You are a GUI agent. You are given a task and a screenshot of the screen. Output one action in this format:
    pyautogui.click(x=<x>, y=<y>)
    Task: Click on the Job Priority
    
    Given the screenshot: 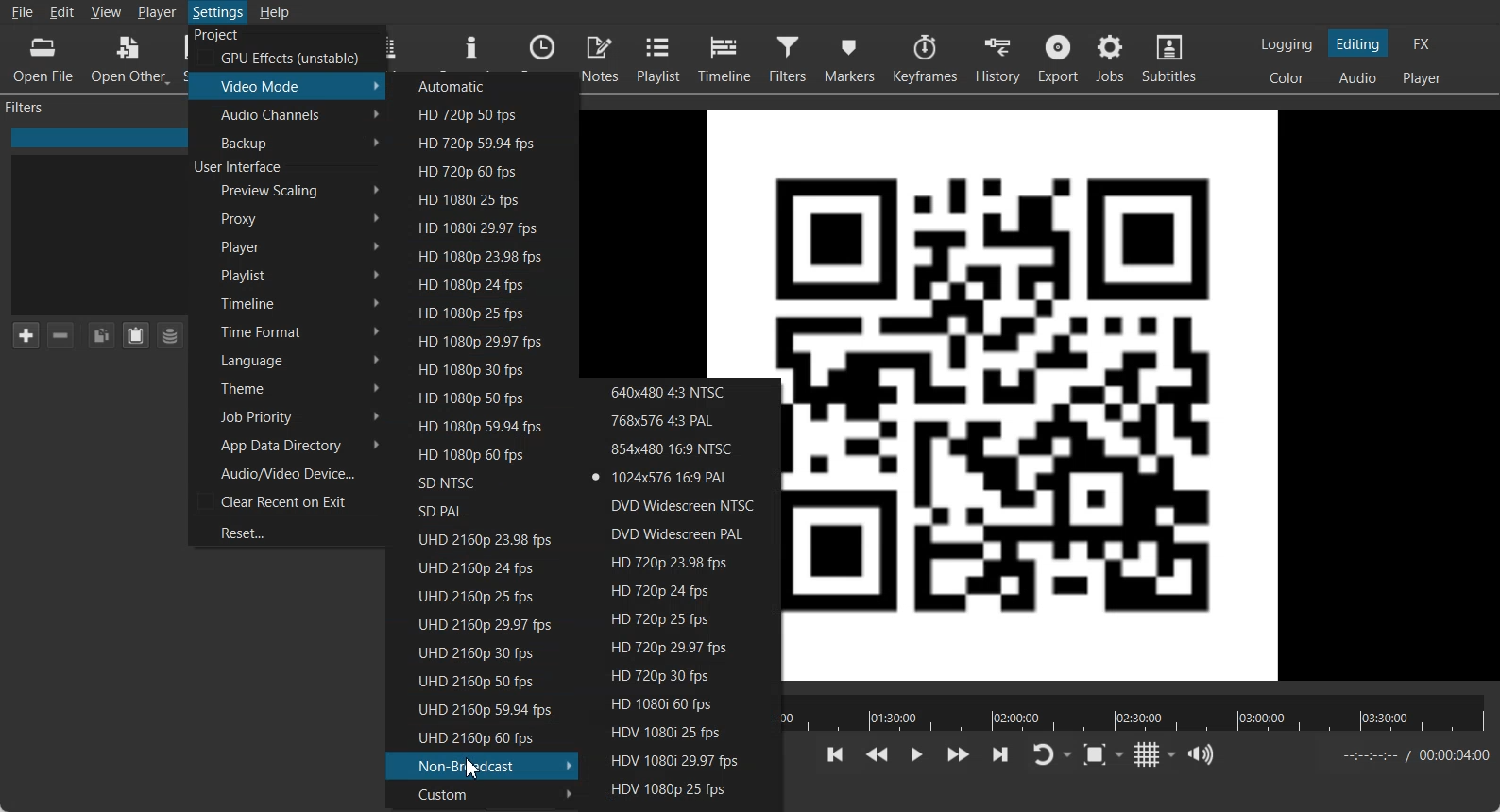 What is the action you would take?
    pyautogui.click(x=286, y=417)
    